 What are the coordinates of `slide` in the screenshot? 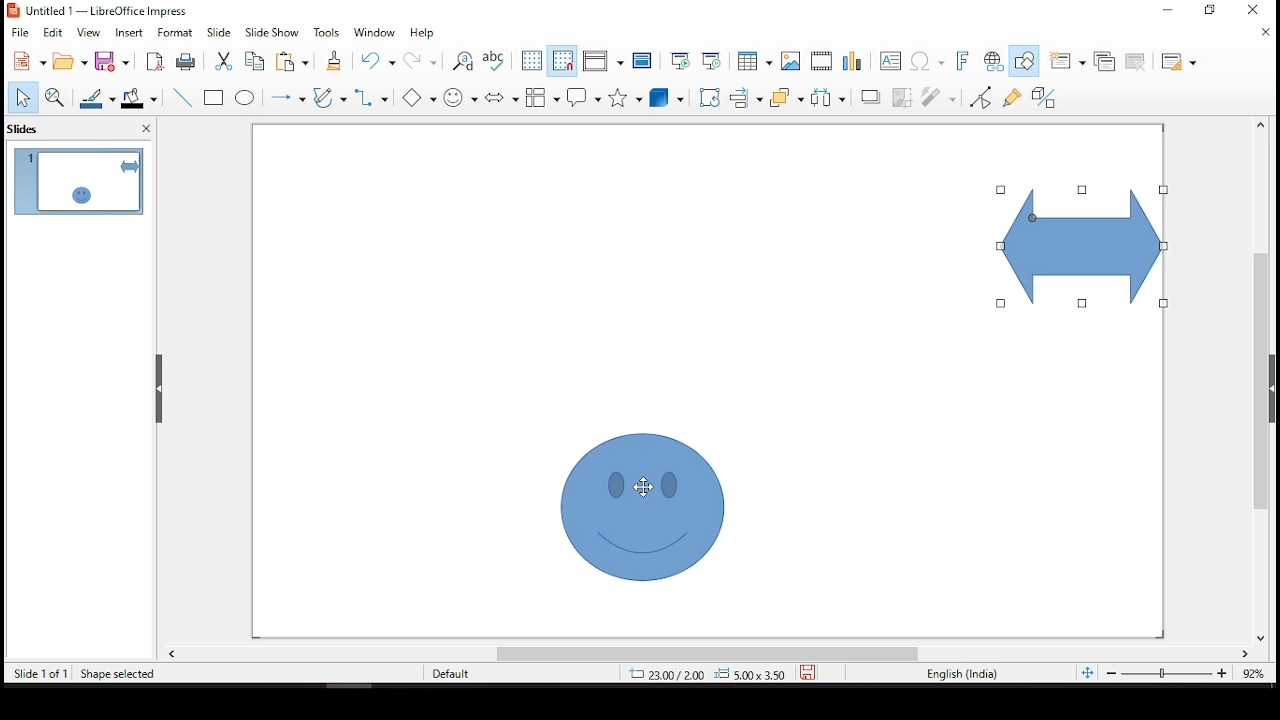 It's located at (219, 32).